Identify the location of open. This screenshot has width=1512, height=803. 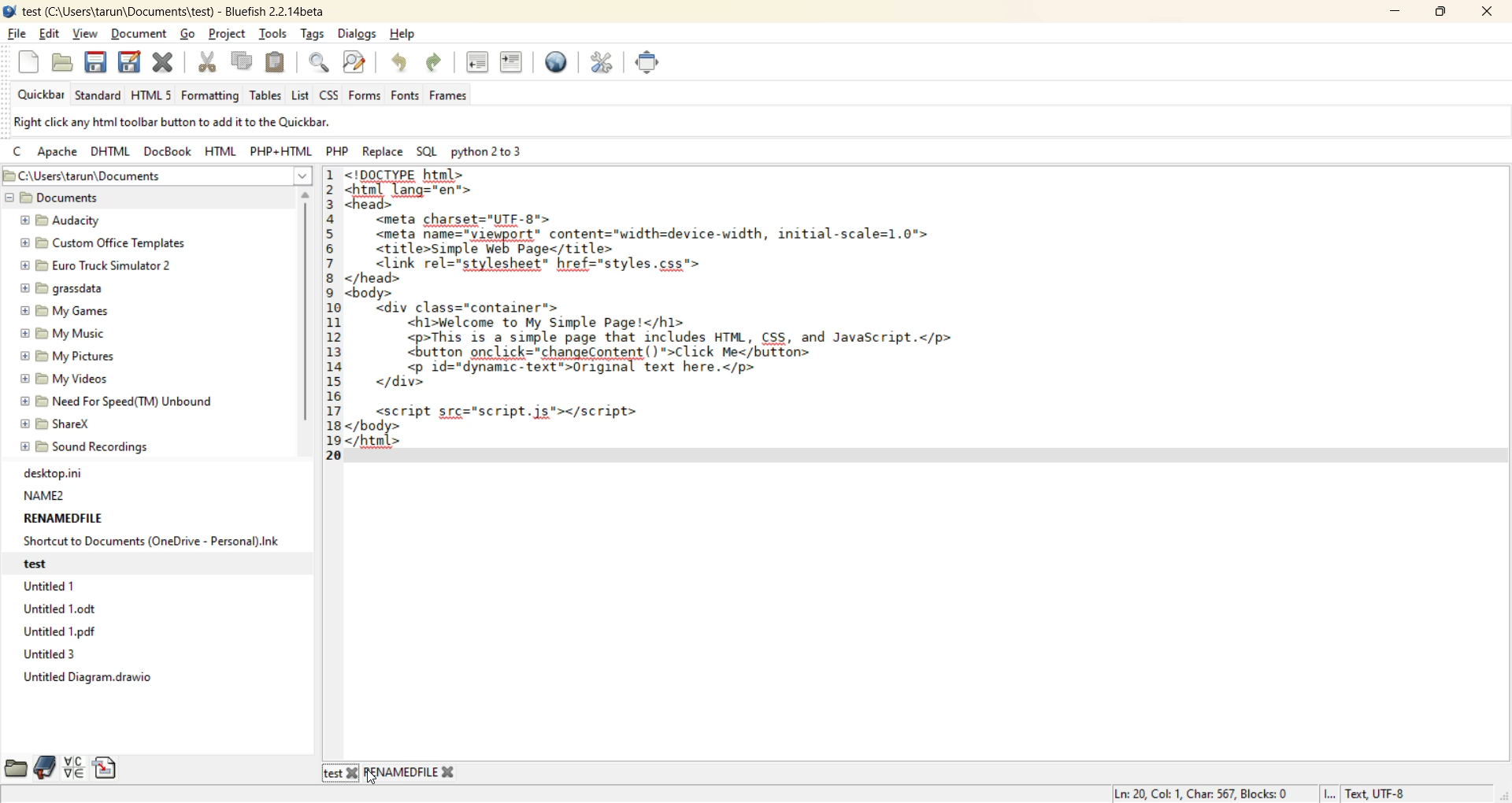
(64, 64).